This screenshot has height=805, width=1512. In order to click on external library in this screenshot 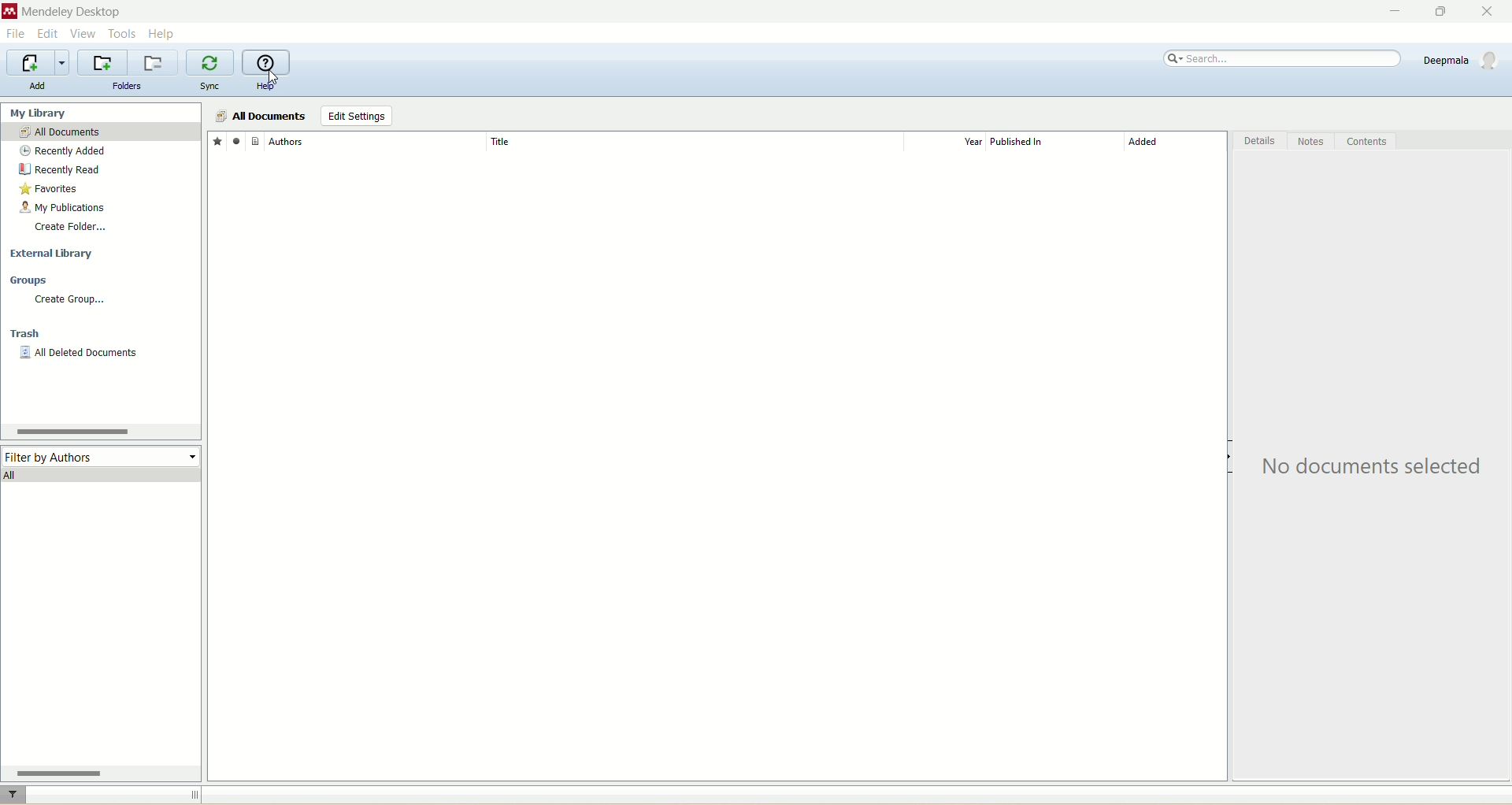, I will do `click(52, 254)`.